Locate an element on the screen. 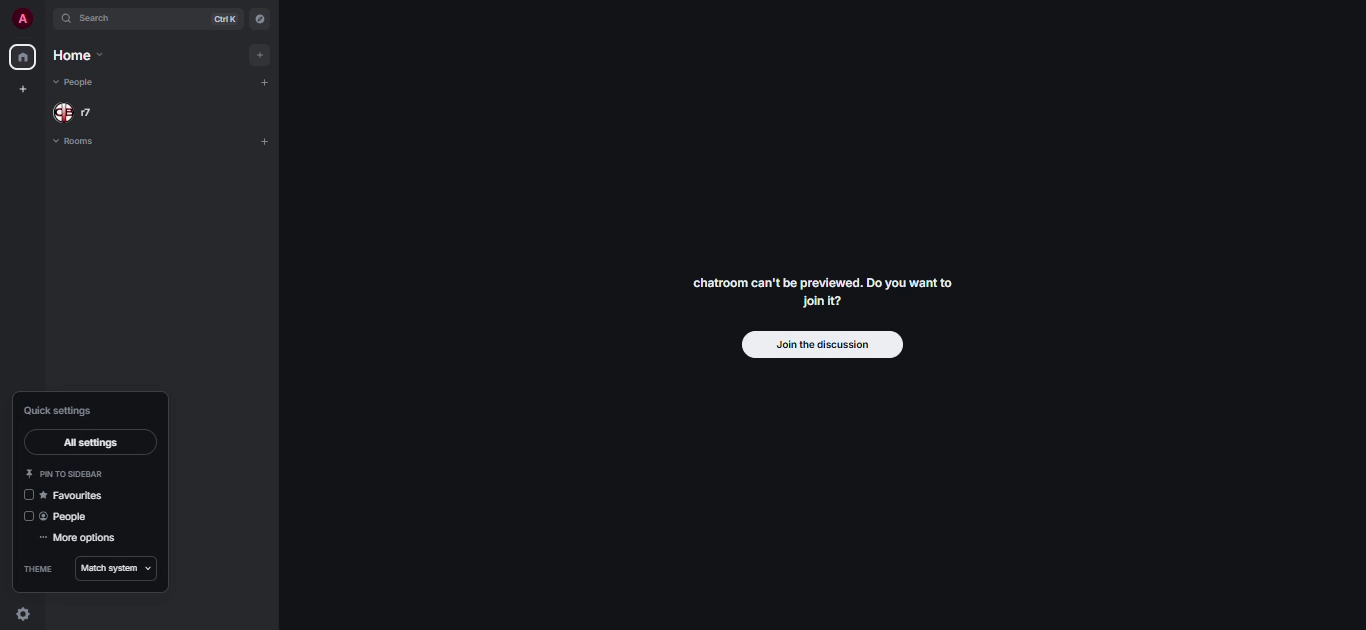  match system is located at coordinates (125, 568).